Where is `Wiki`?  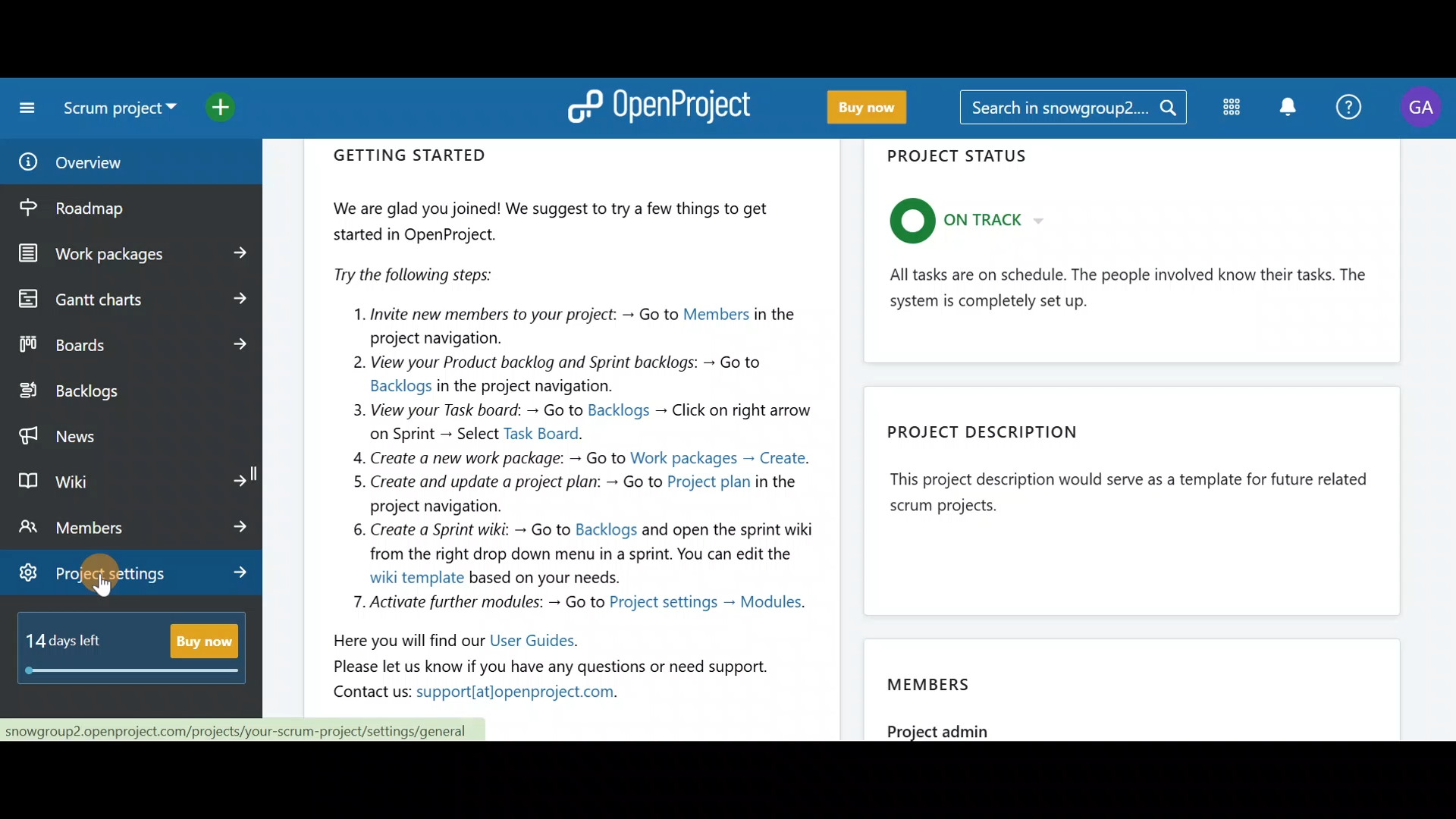
Wiki is located at coordinates (131, 478).